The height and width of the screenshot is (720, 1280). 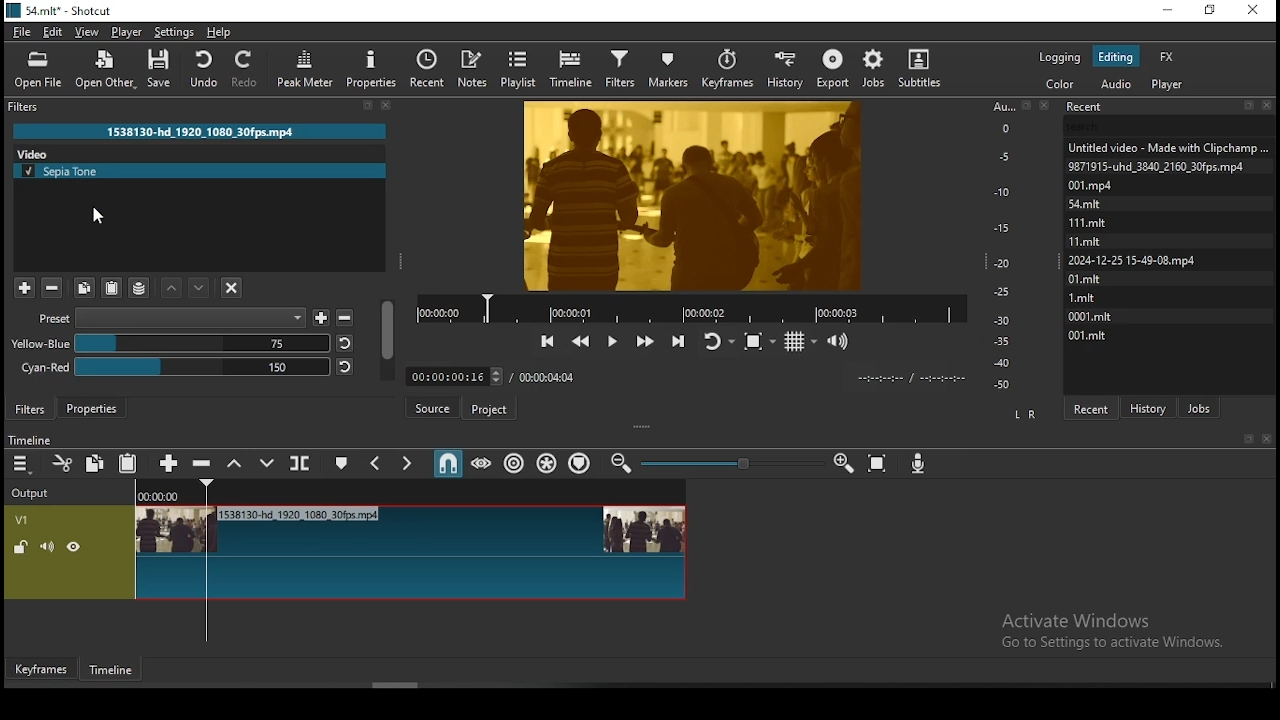 What do you see at coordinates (375, 463) in the screenshot?
I see `previous marker` at bounding box center [375, 463].